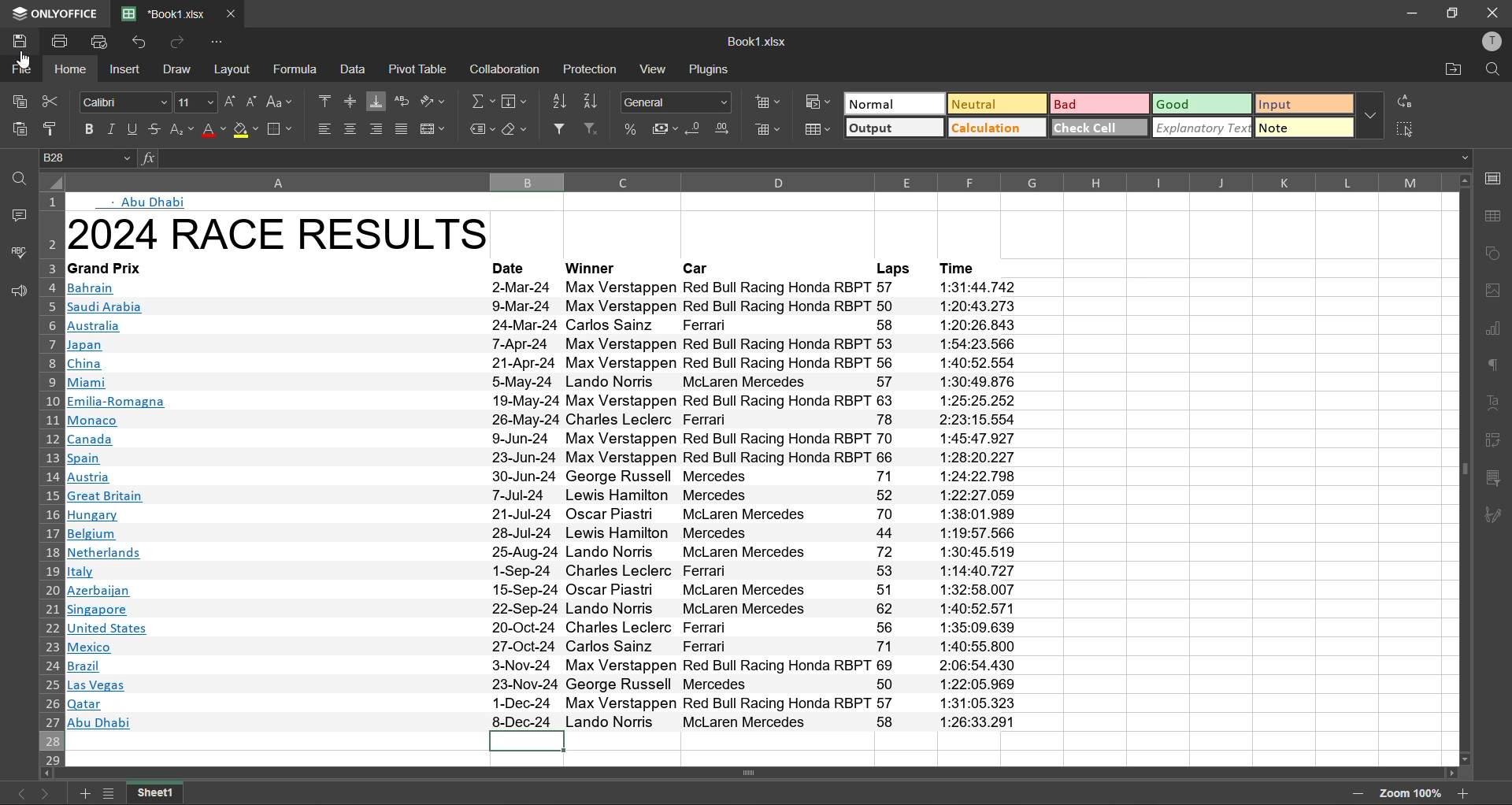 The height and width of the screenshot is (805, 1512). I want to click on italic, so click(112, 129).